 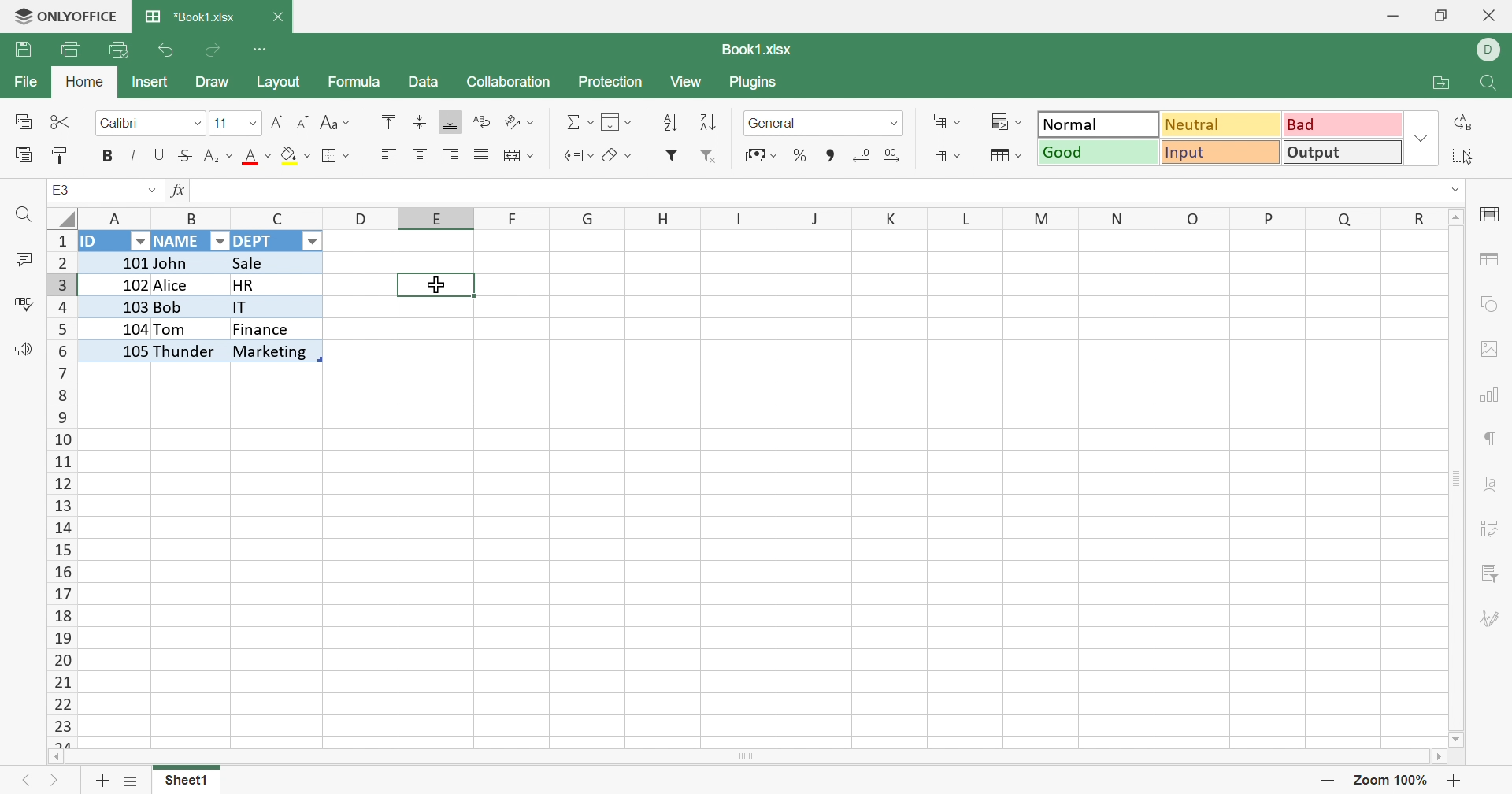 What do you see at coordinates (262, 50) in the screenshot?
I see `Customize Quick Access Toolbar` at bounding box center [262, 50].